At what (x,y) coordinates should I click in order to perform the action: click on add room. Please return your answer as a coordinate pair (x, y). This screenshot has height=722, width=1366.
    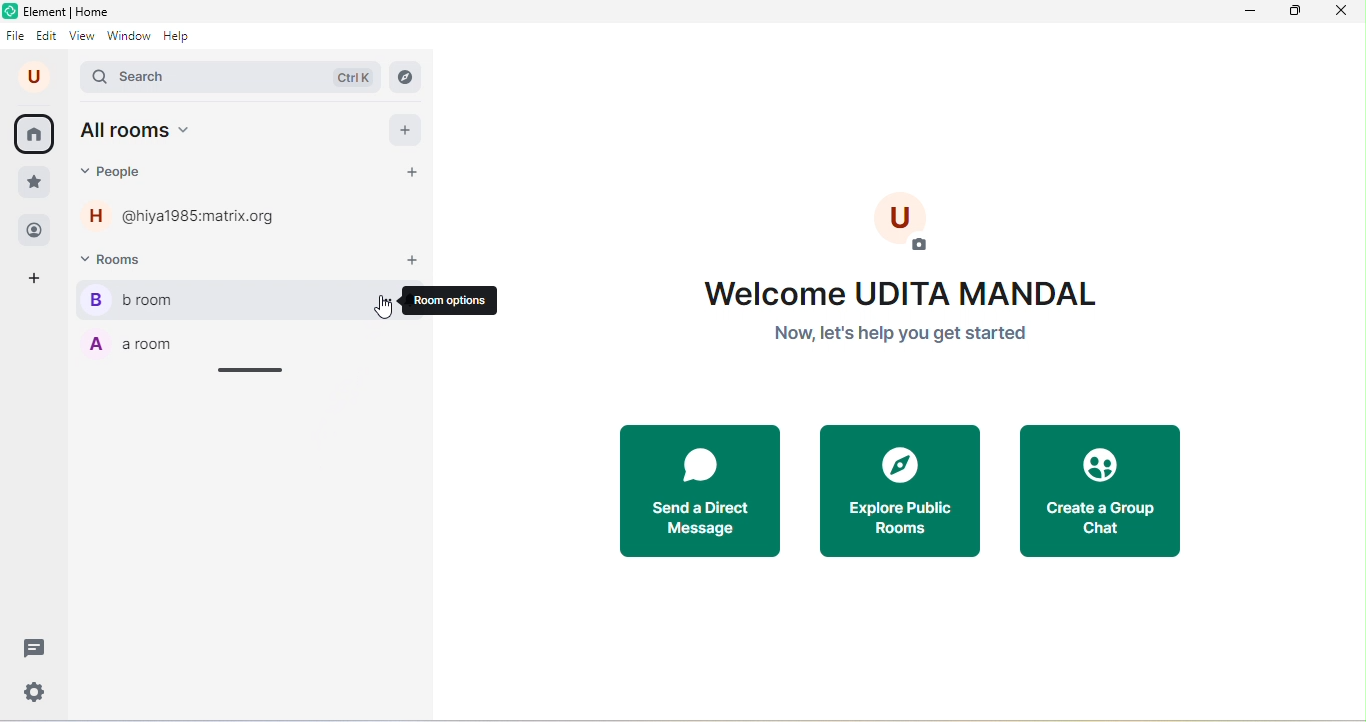
    Looking at the image, I should click on (415, 260).